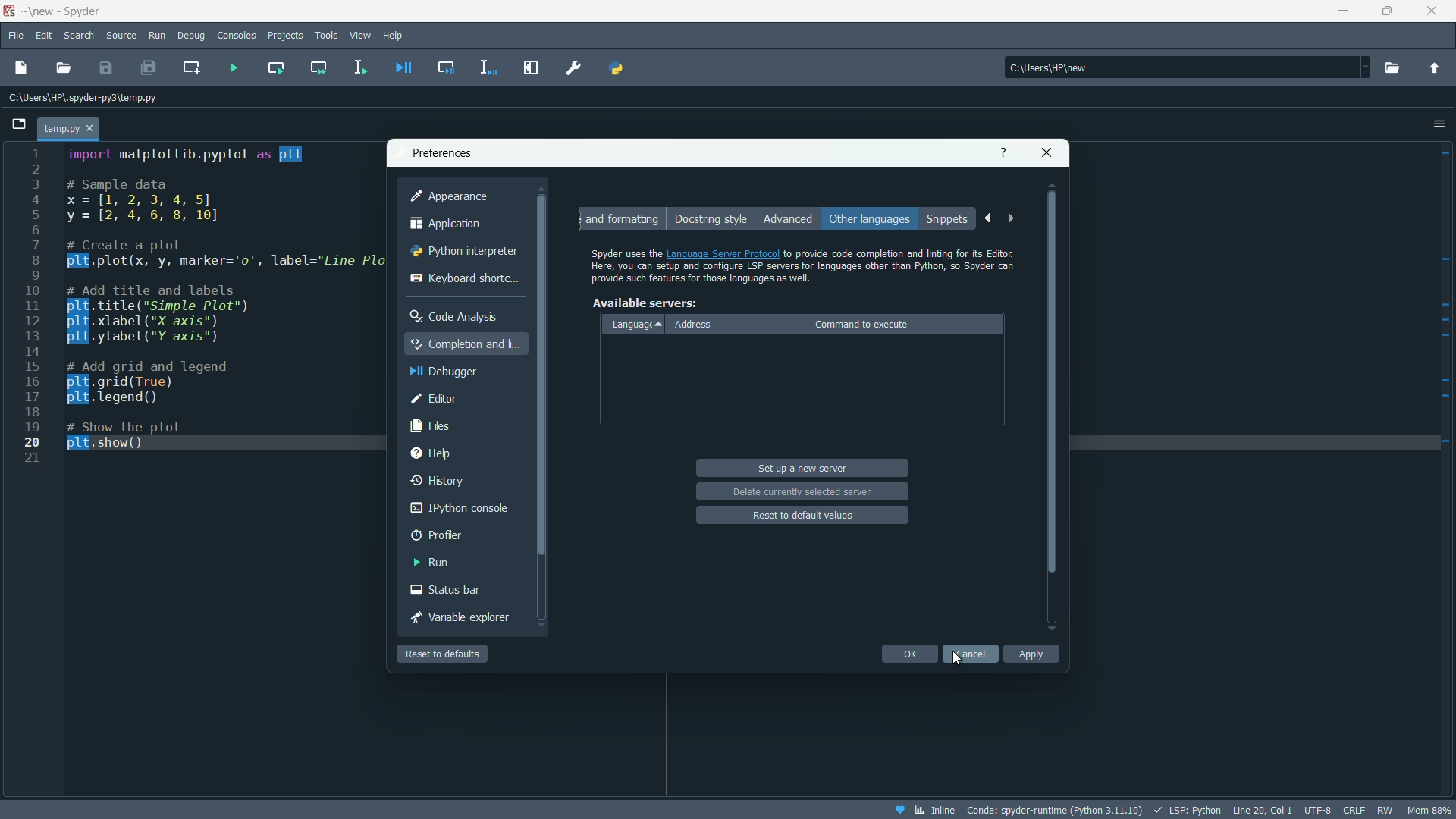 The image size is (1456, 819). What do you see at coordinates (1387, 11) in the screenshot?
I see `maximize` at bounding box center [1387, 11].